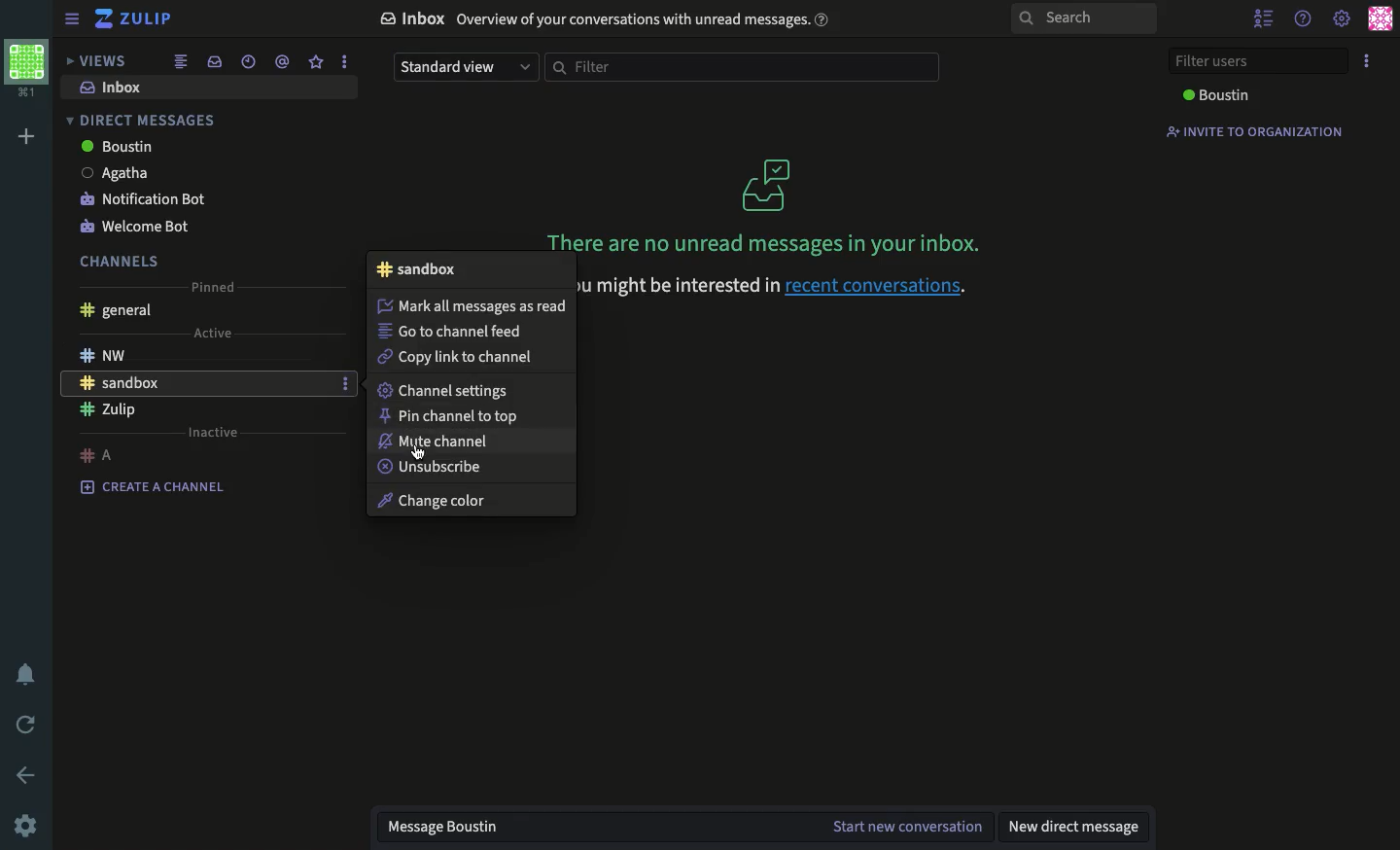 The width and height of the screenshot is (1400, 850). I want to click on unsubscribe, so click(429, 467).